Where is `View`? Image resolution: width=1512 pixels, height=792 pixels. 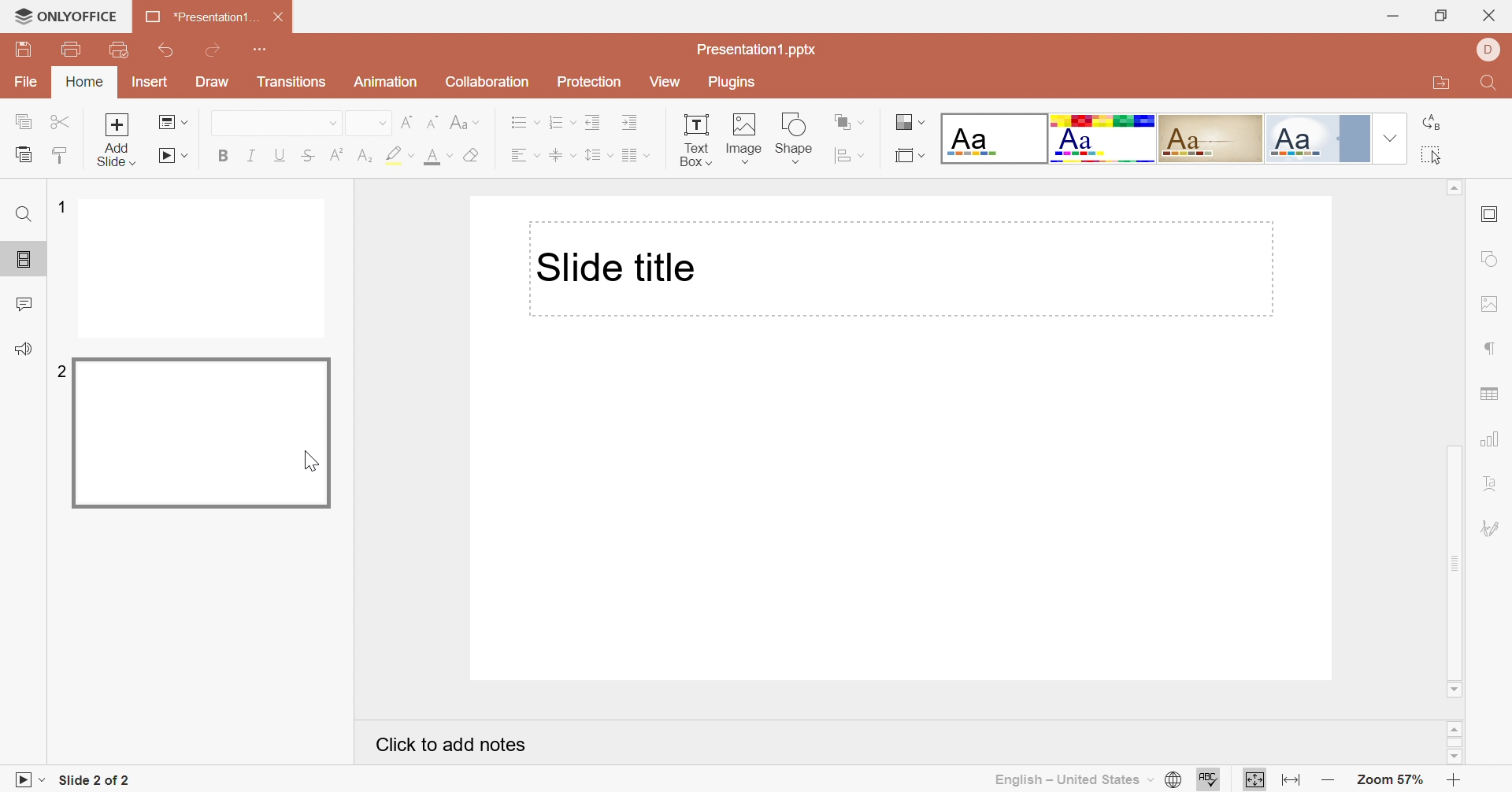 View is located at coordinates (665, 81).